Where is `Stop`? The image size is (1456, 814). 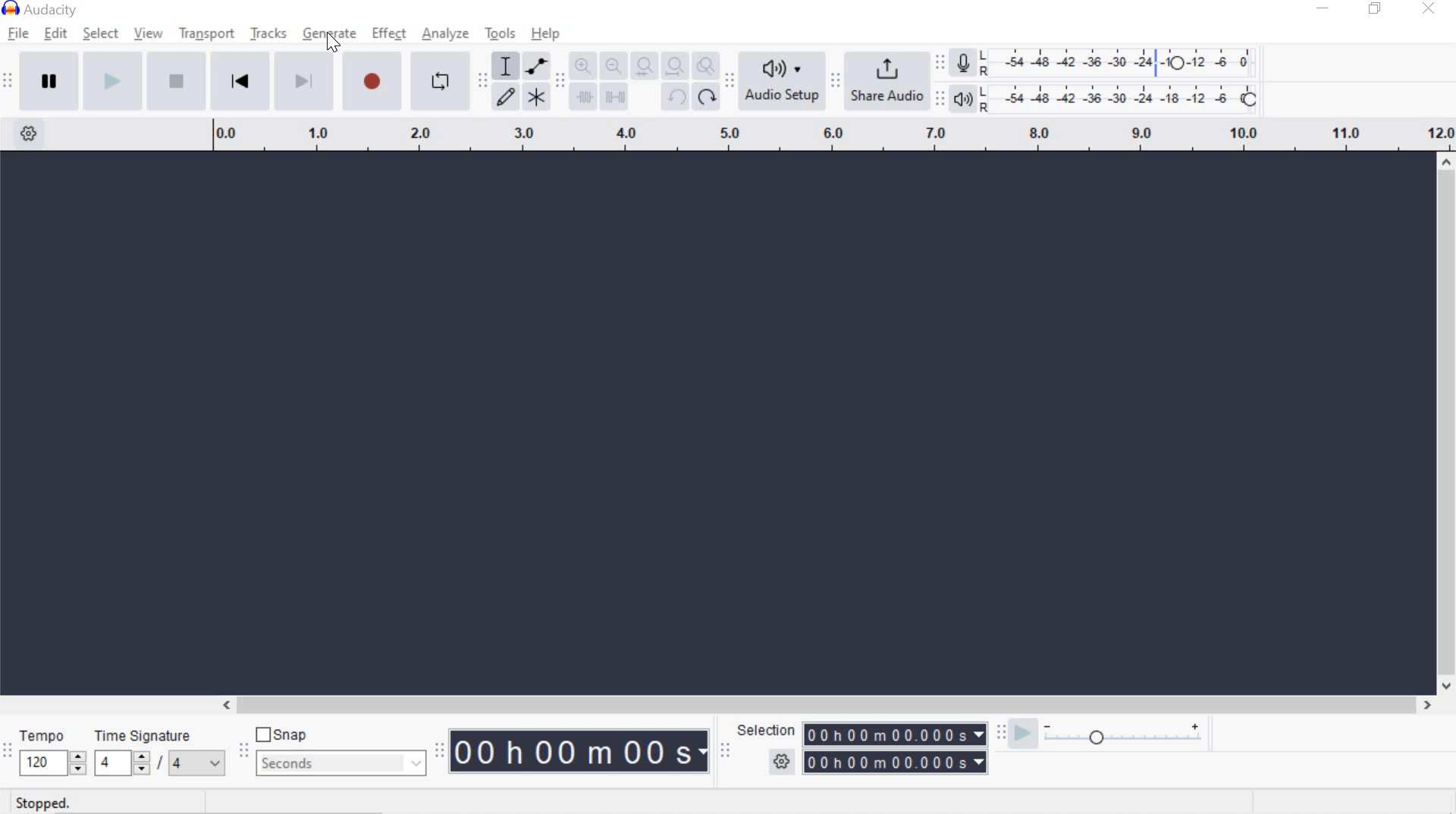
Stop is located at coordinates (177, 80).